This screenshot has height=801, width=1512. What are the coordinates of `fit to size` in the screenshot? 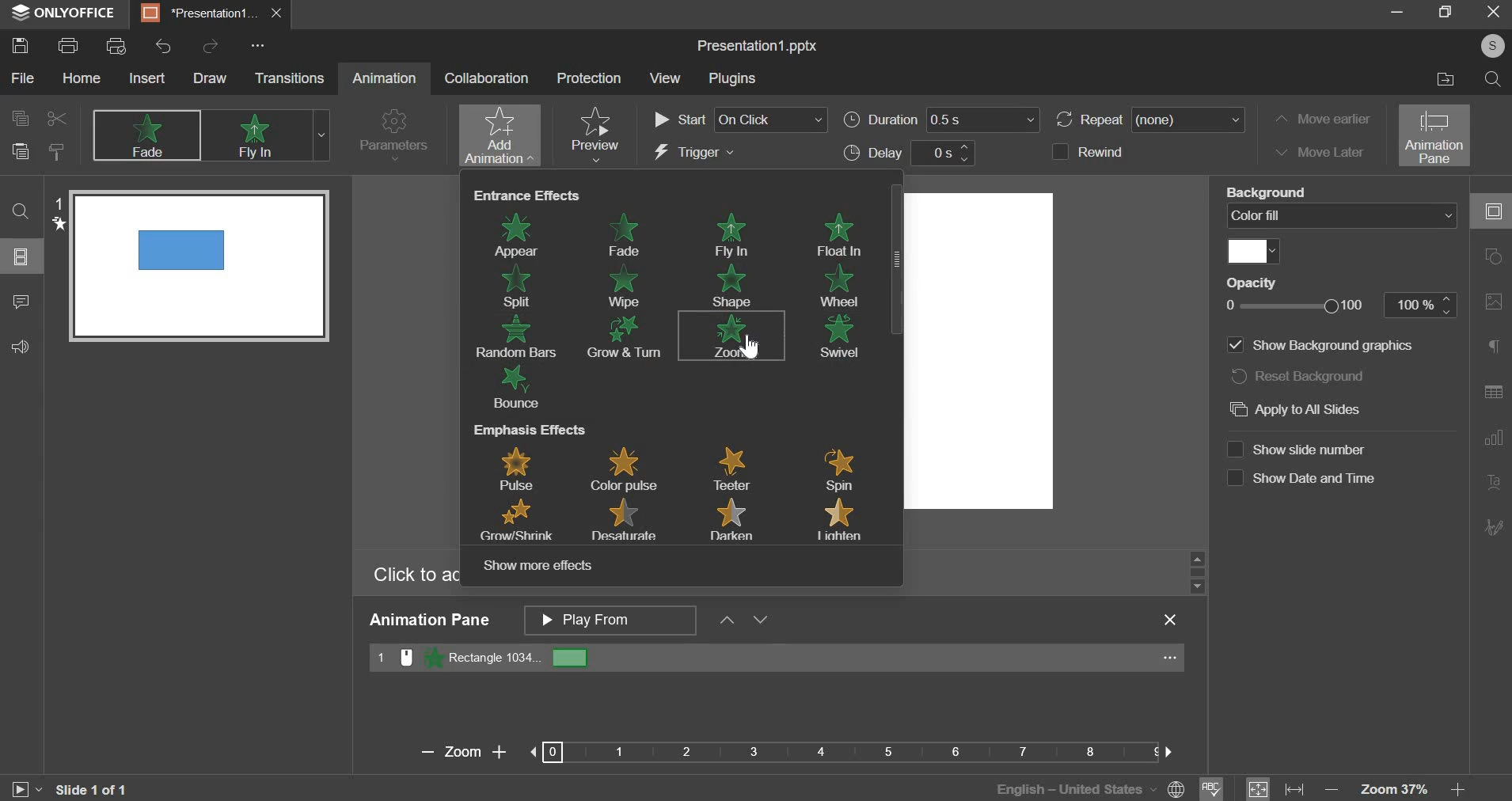 It's located at (1259, 788).